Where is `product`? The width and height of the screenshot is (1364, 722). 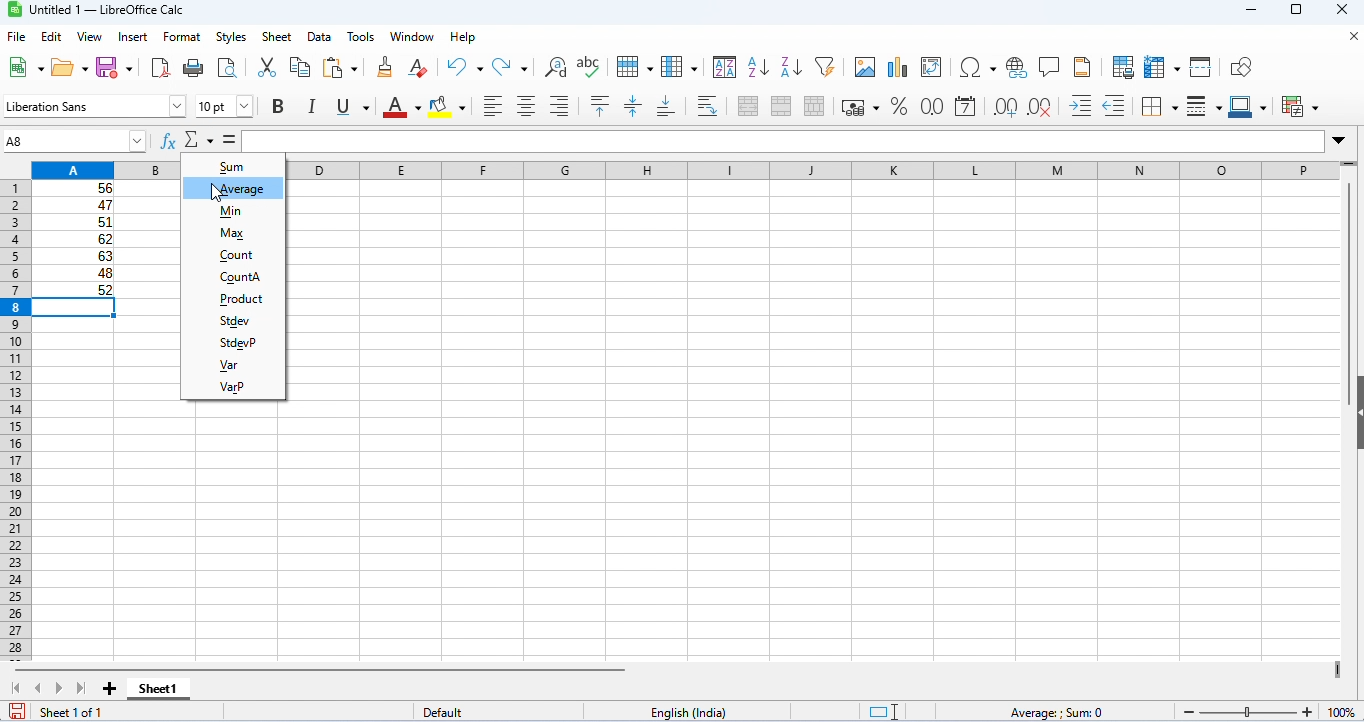 product is located at coordinates (236, 299).